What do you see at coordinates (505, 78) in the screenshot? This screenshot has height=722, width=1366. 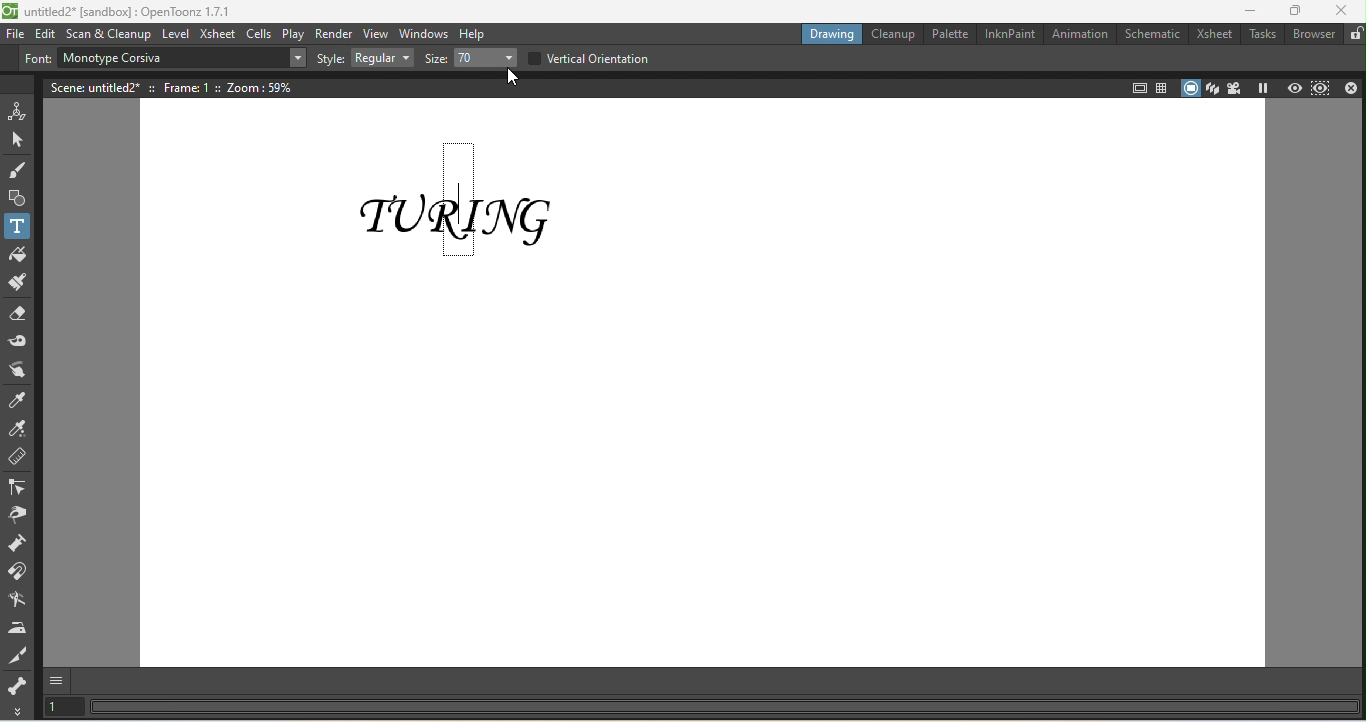 I see `Cursor` at bounding box center [505, 78].